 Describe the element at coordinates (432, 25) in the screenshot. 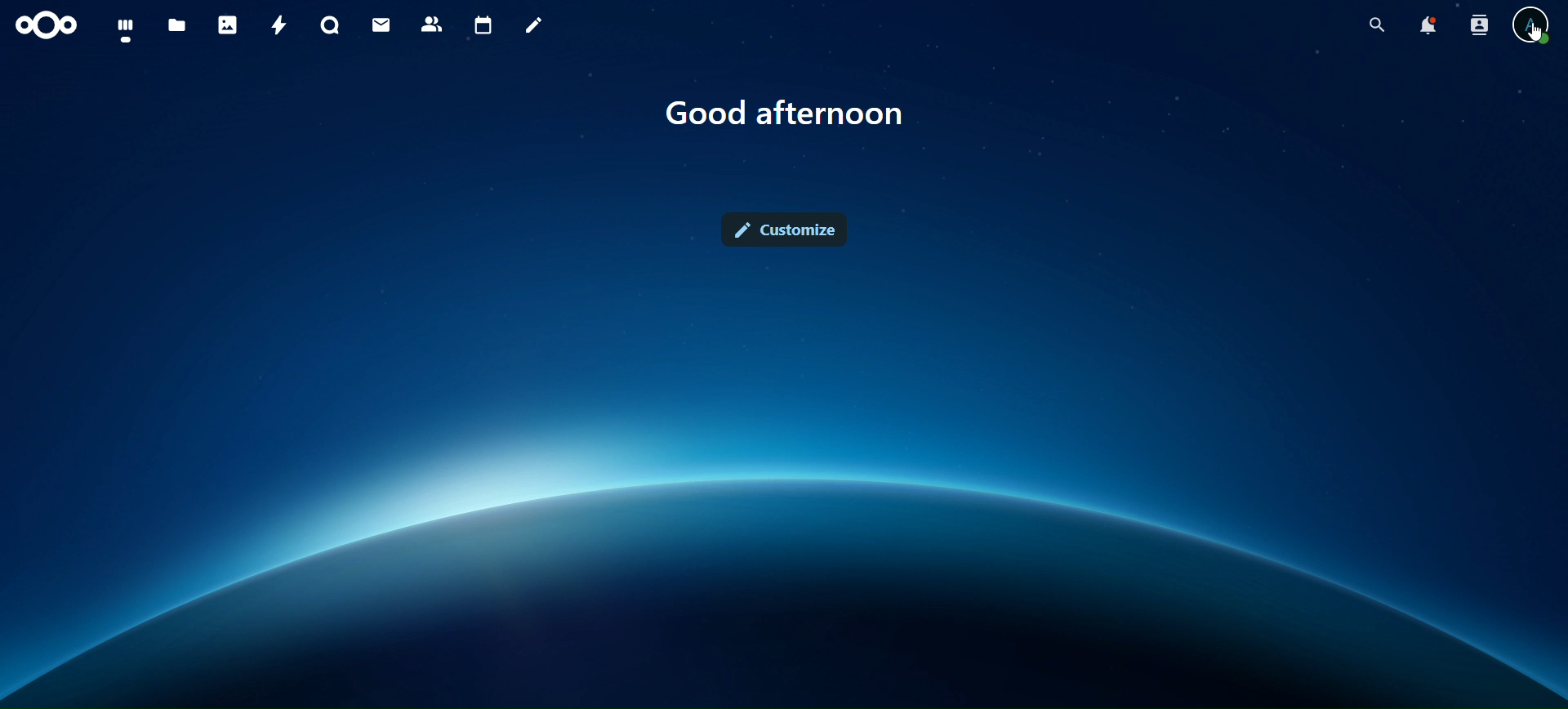

I see `contacts` at that location.